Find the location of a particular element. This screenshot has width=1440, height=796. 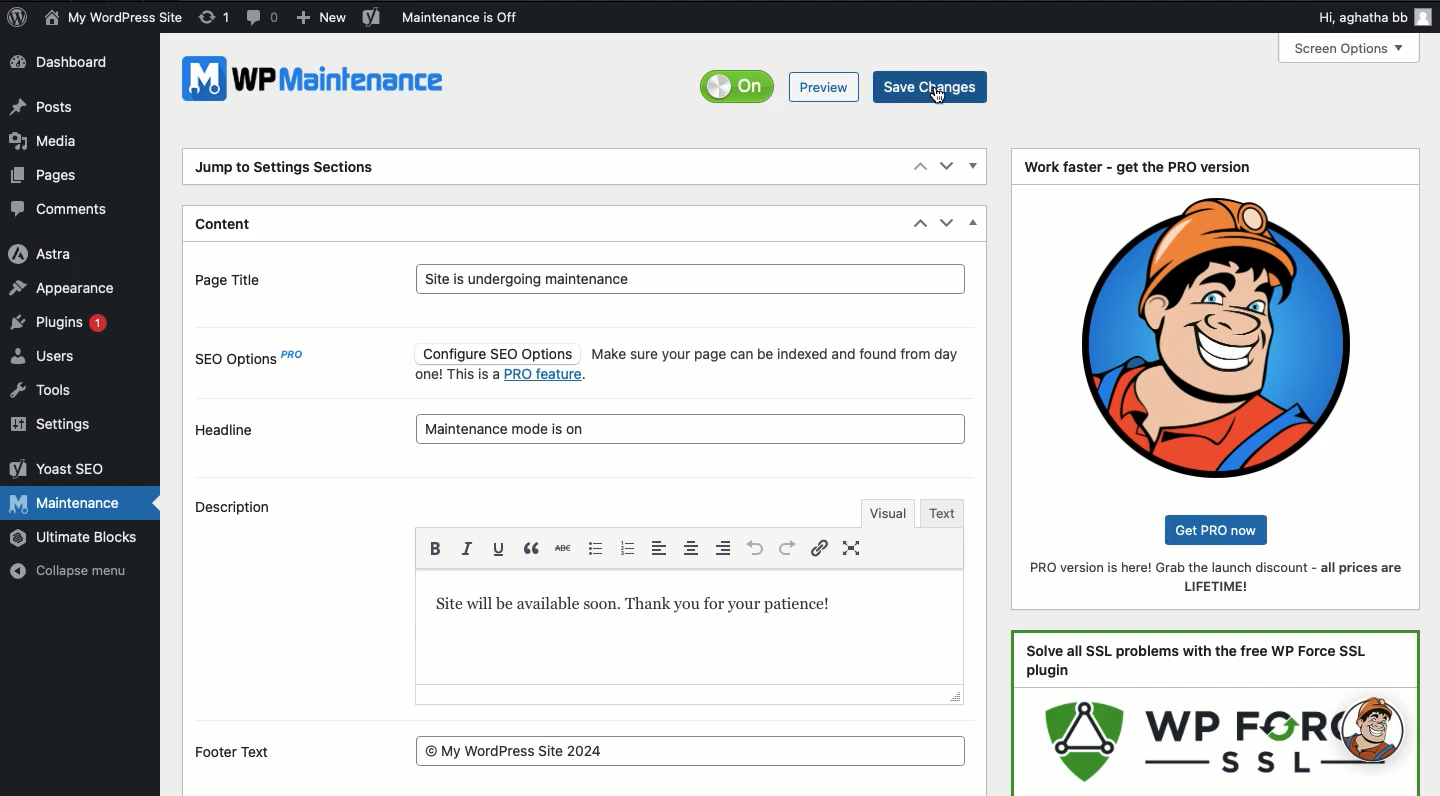

Dashboard is located at coordinates (63, 64).